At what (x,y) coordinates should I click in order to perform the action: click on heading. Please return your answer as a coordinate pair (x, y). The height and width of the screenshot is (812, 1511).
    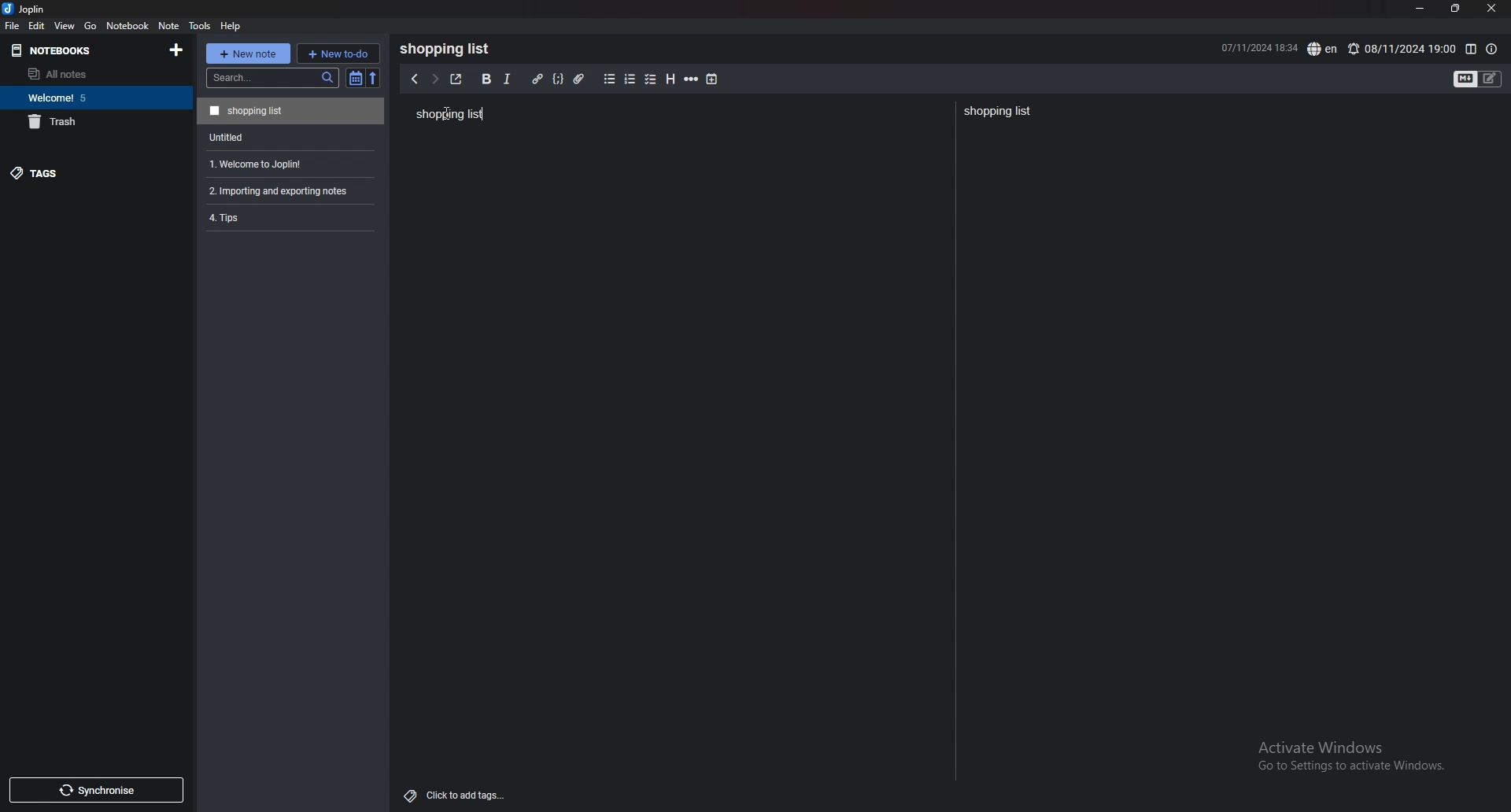
    Looking at the image, I should click on (671, 79).